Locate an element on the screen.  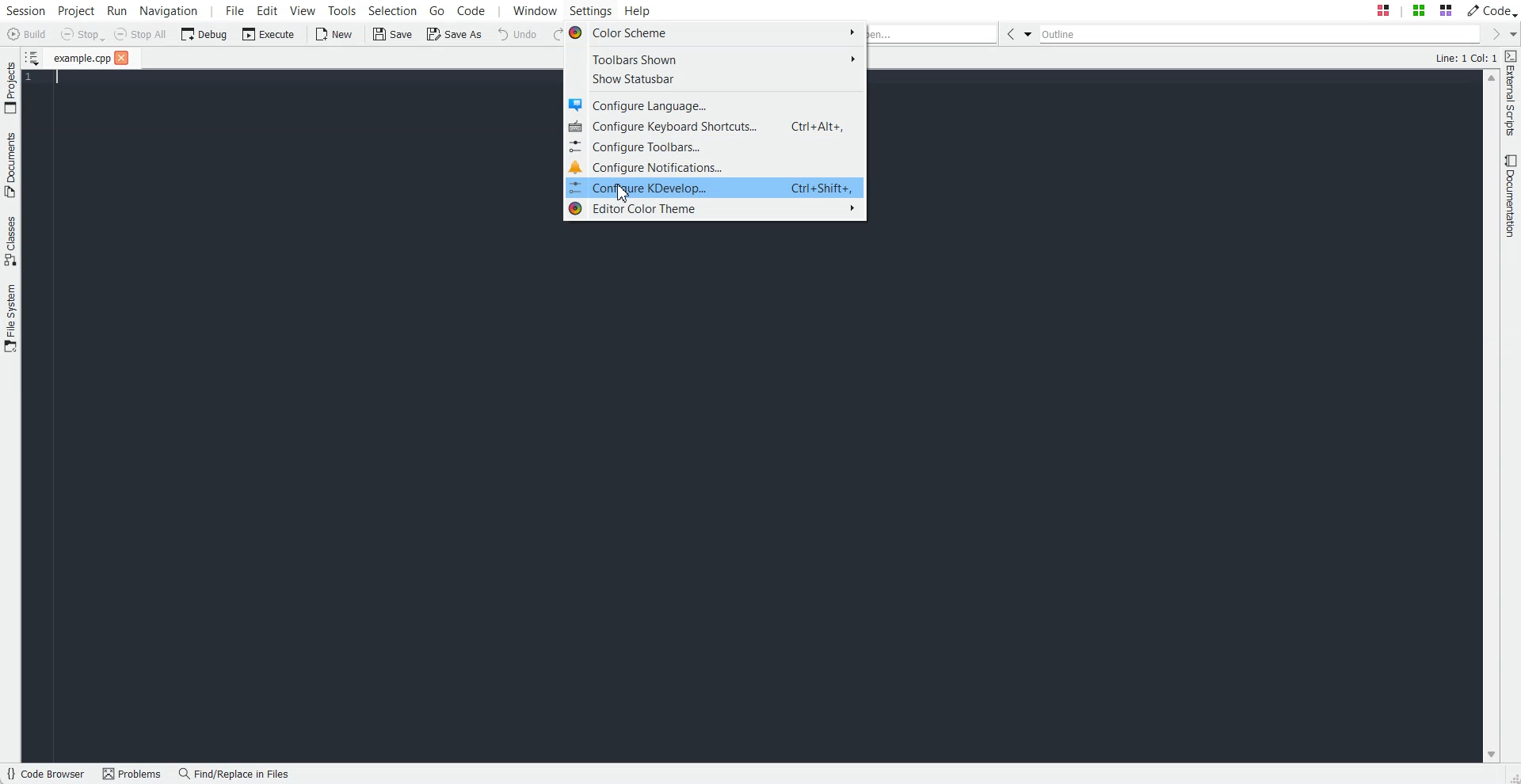
Configure KDevelop is located at coordinates (714, 188).